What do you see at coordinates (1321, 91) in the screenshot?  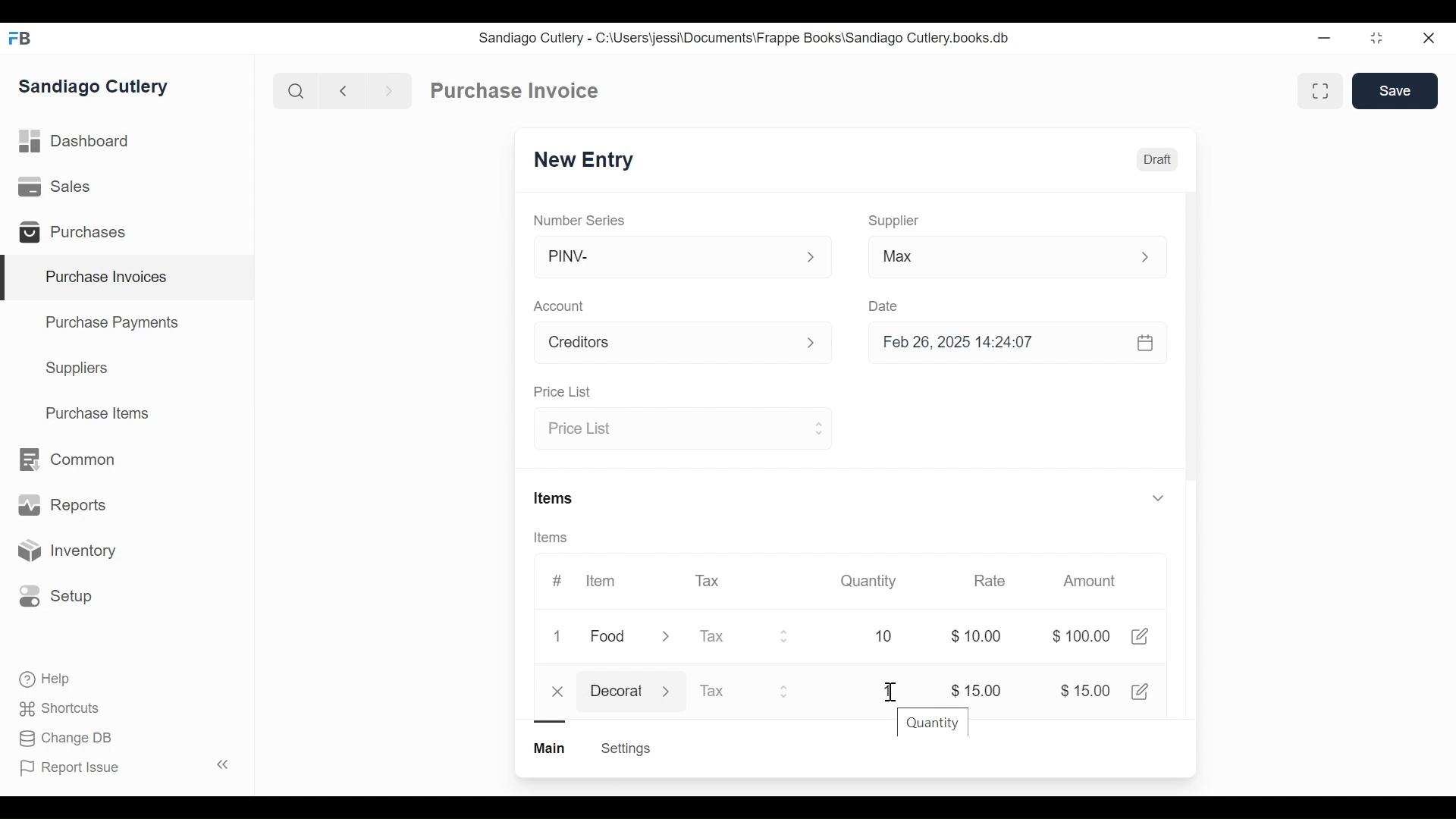 I see `Toggle between form and full view` at bounding box center [1321, 91].